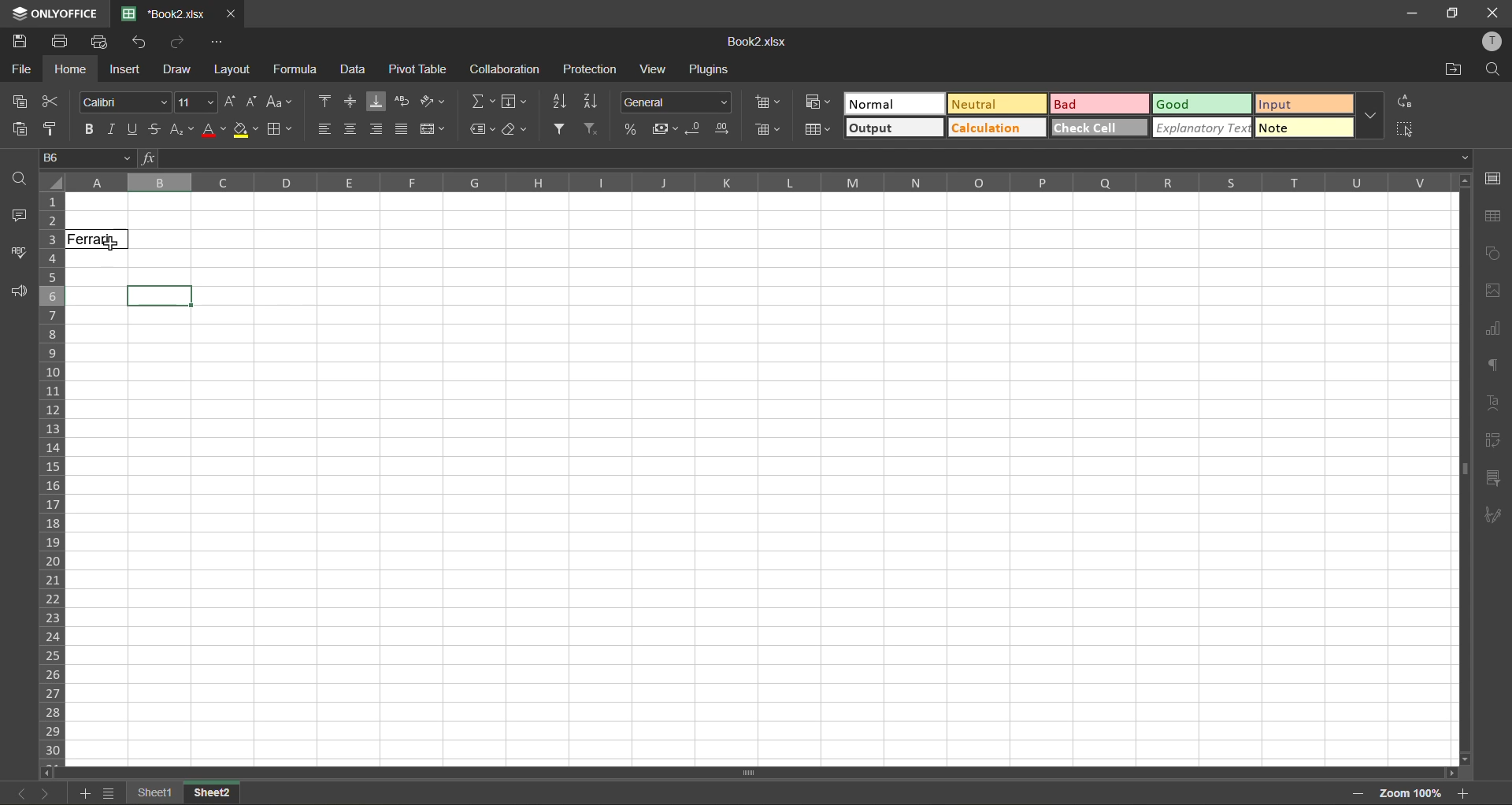  I want to click on font color, so click(213, 130).